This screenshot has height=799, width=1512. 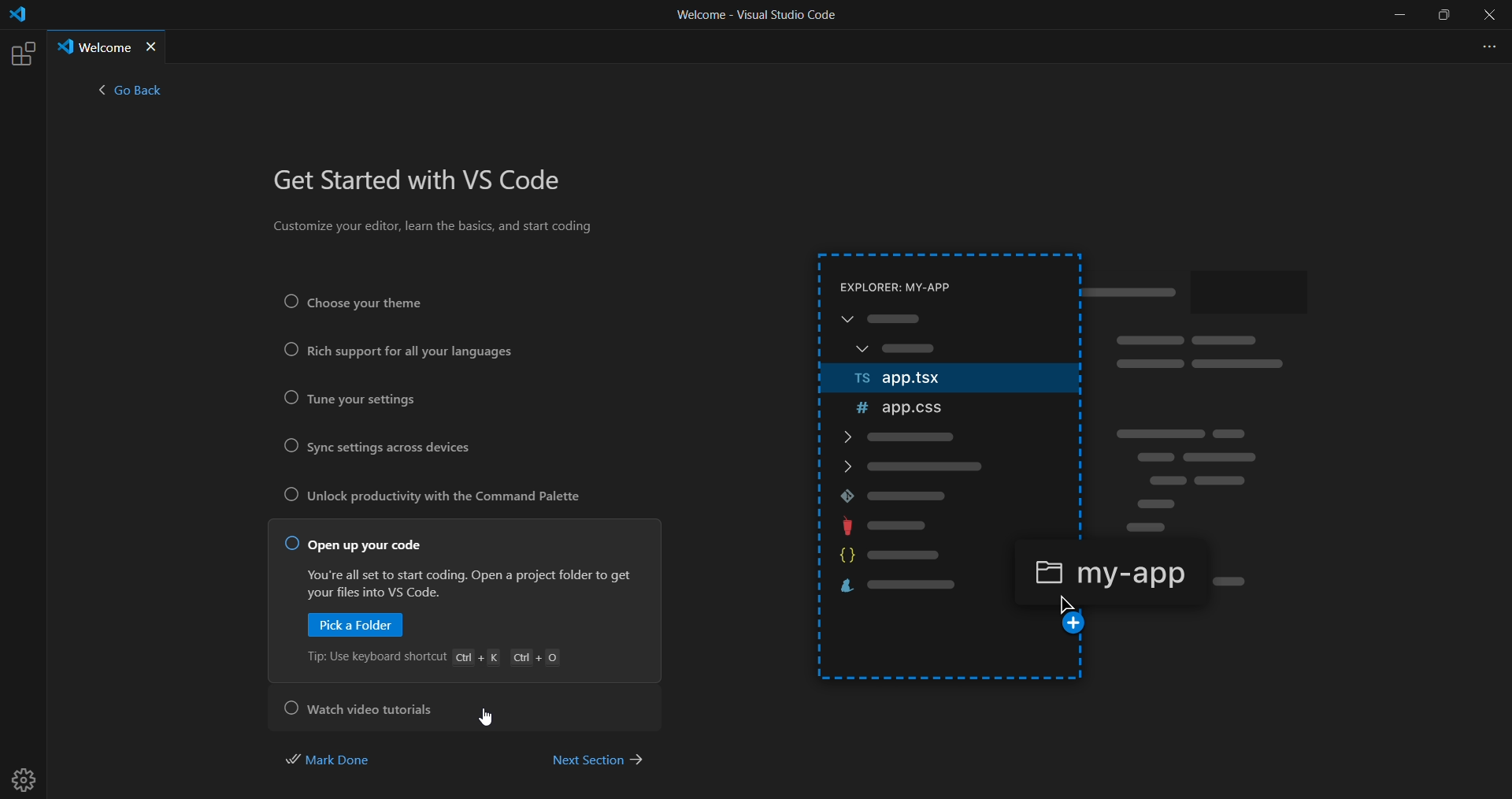 What do you see at coordinates (439, 500) in the screenshot?
I see `unlock productivity with the command palette` at bounding box center [439, 500].